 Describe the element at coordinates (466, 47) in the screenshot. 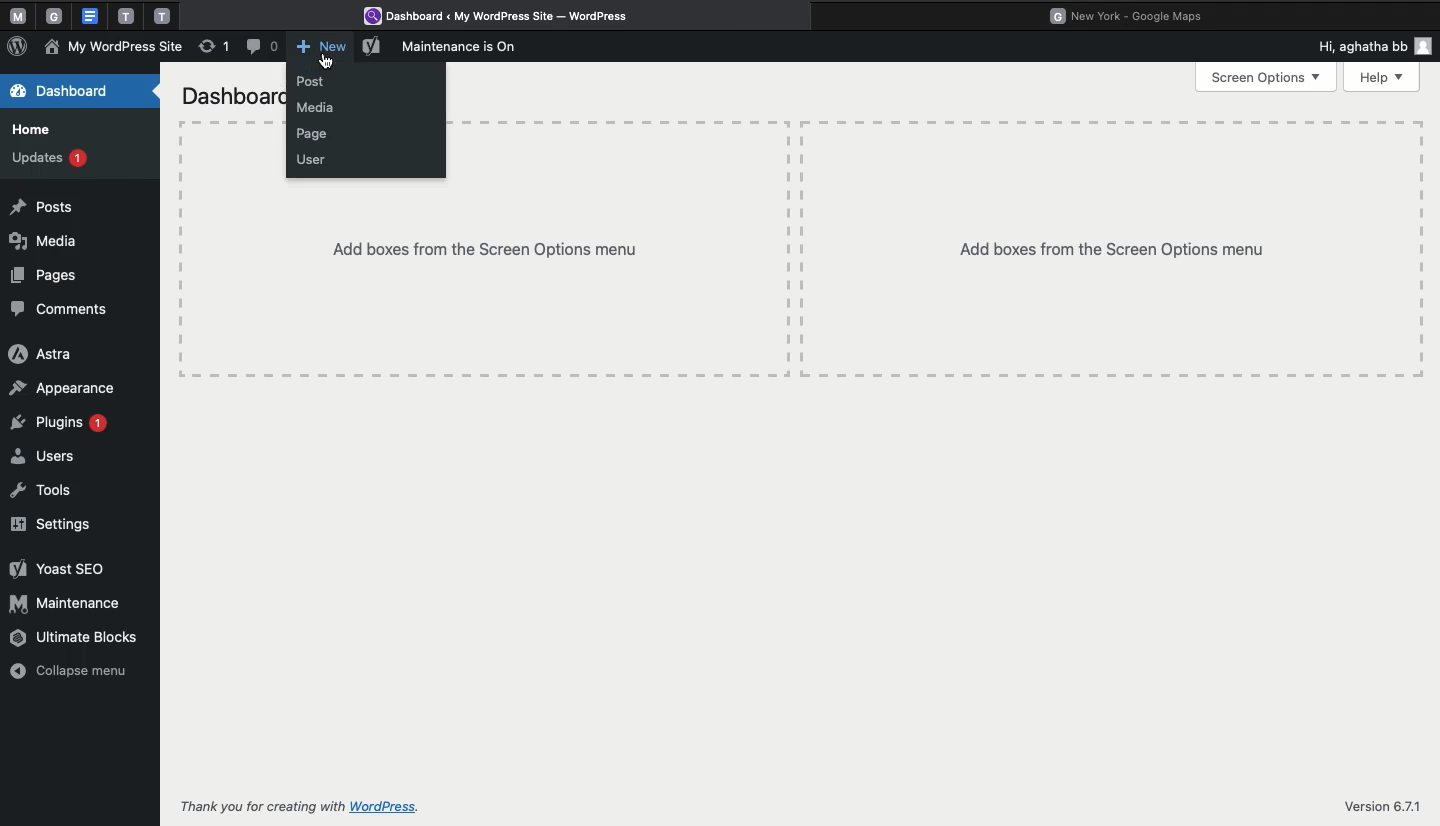

I see `Maintenance is on` at that location.